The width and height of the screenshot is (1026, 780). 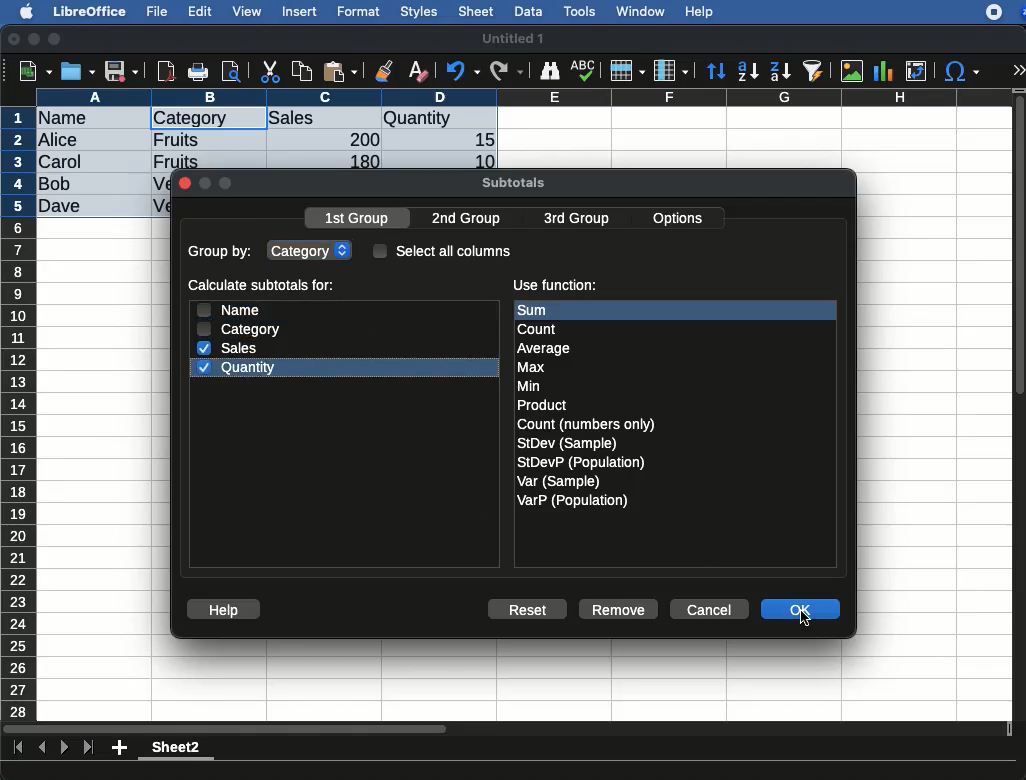 What do you see at coordinates (916, 71) in the screenshot?
I see `pivot table` at bounding box center [916, 71].